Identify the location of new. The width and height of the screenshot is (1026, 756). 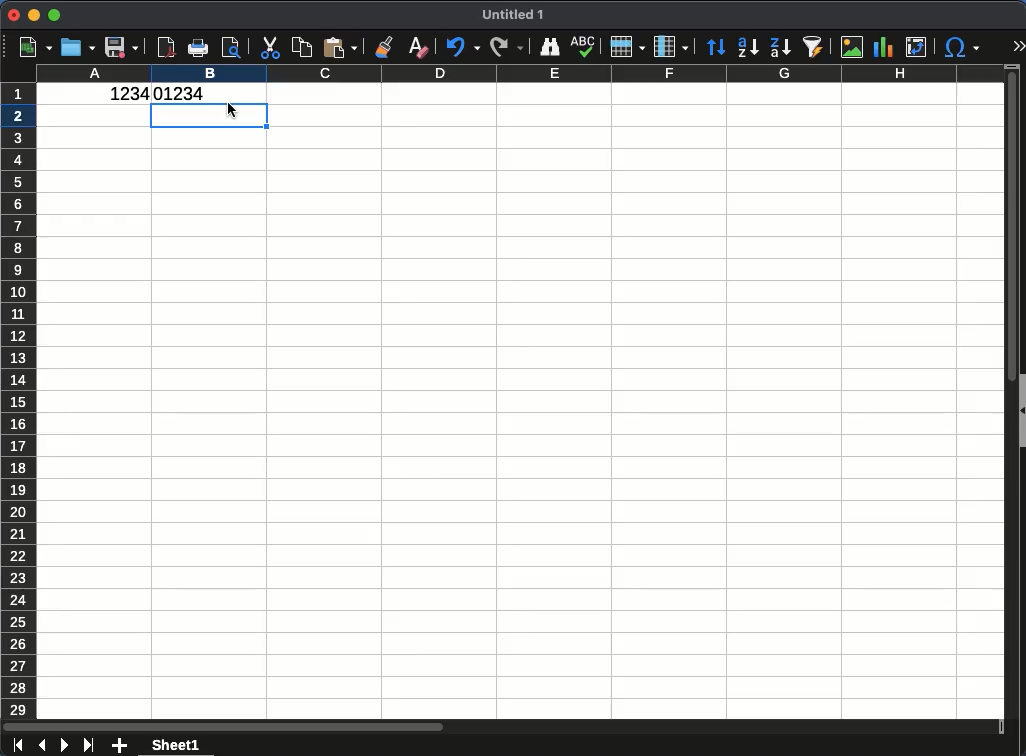
(34, 48).